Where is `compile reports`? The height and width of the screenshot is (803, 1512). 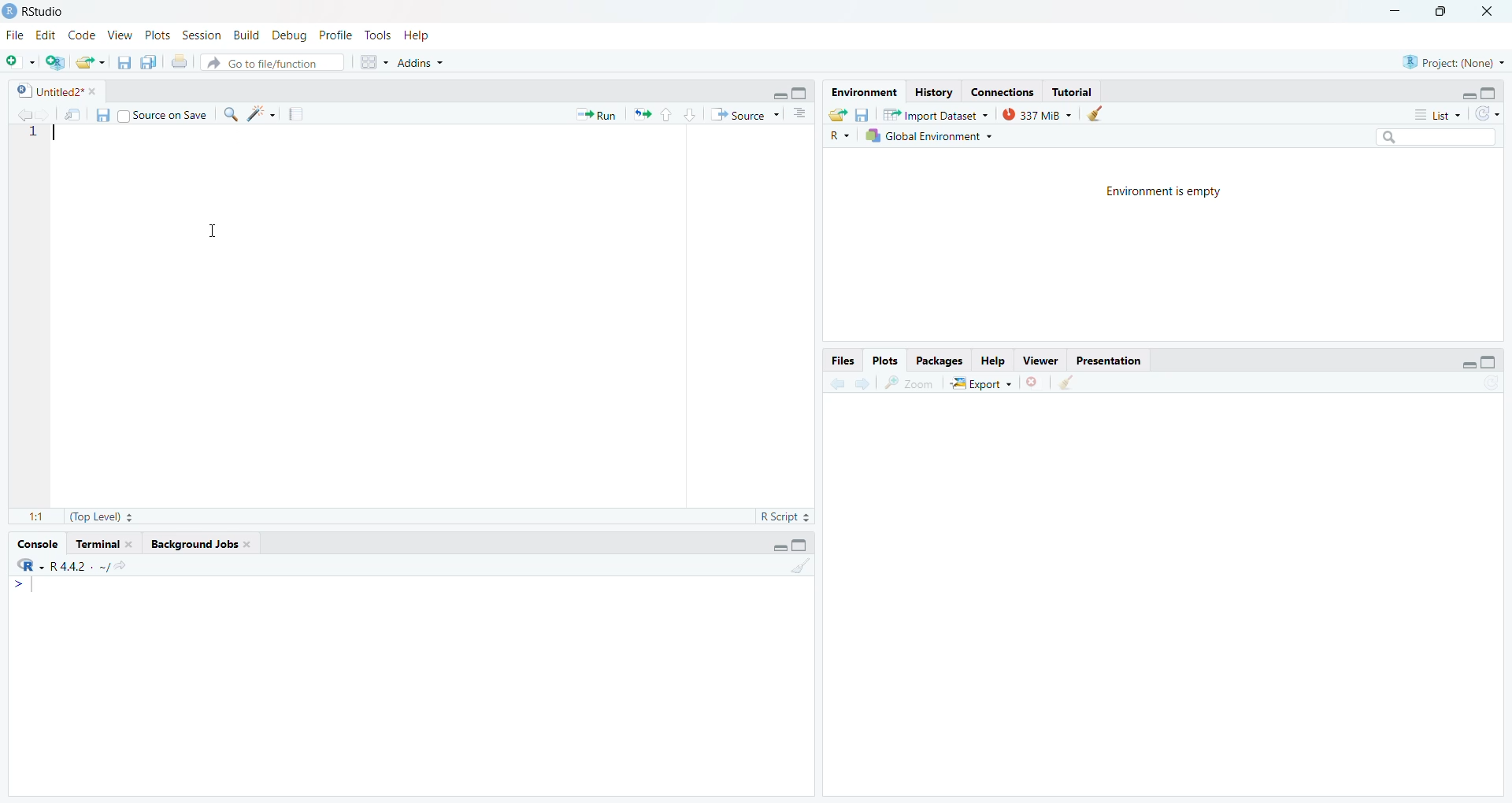 compile reports is located at coordinates (298, 116).